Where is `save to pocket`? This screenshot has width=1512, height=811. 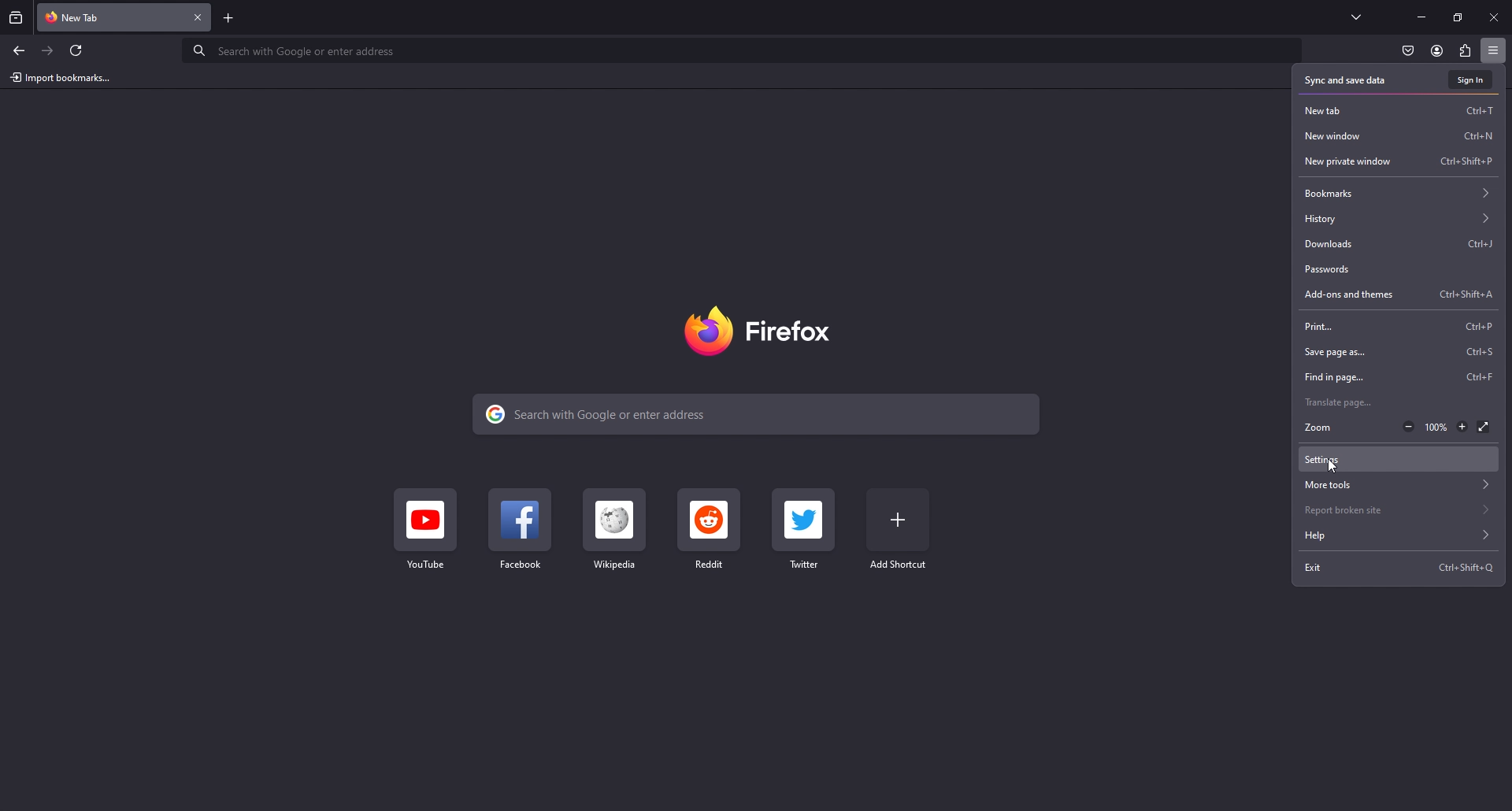 save to pocket is located at coordinates (1407, 52).